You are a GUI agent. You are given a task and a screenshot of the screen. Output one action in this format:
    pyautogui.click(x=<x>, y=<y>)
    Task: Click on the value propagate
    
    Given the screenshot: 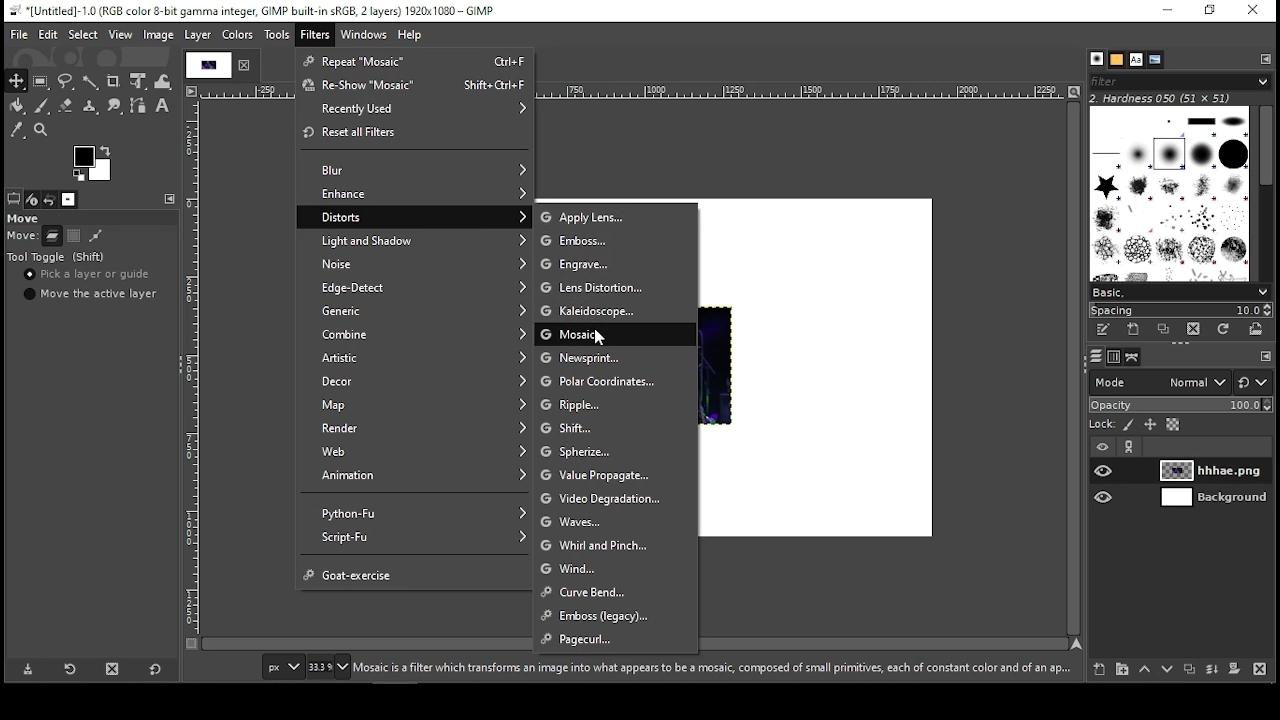 What is the action you would take?
    pyautogui.click(x=616, y=476)
    